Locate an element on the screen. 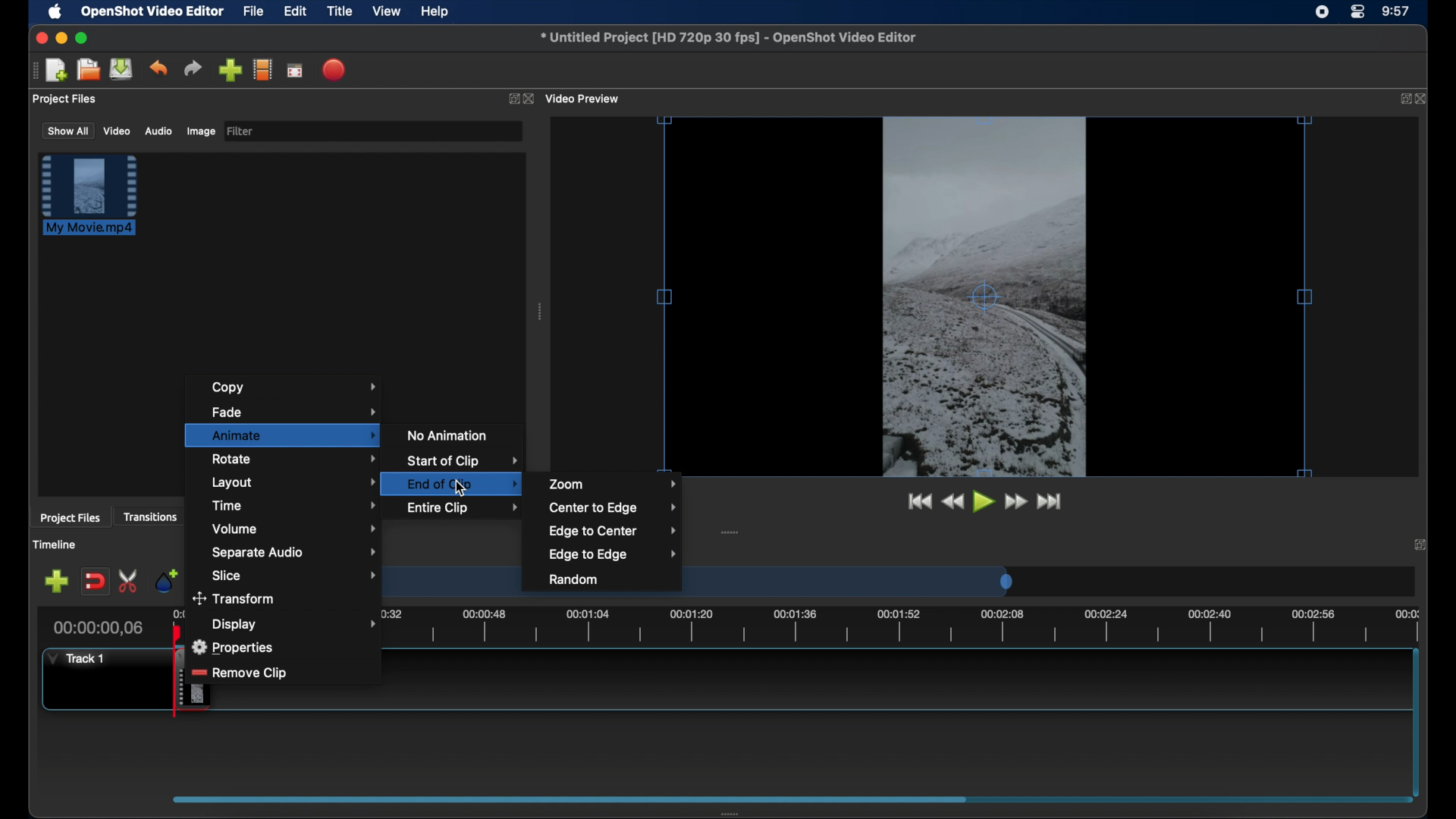  volume menu is located at coordinates (294, 529).